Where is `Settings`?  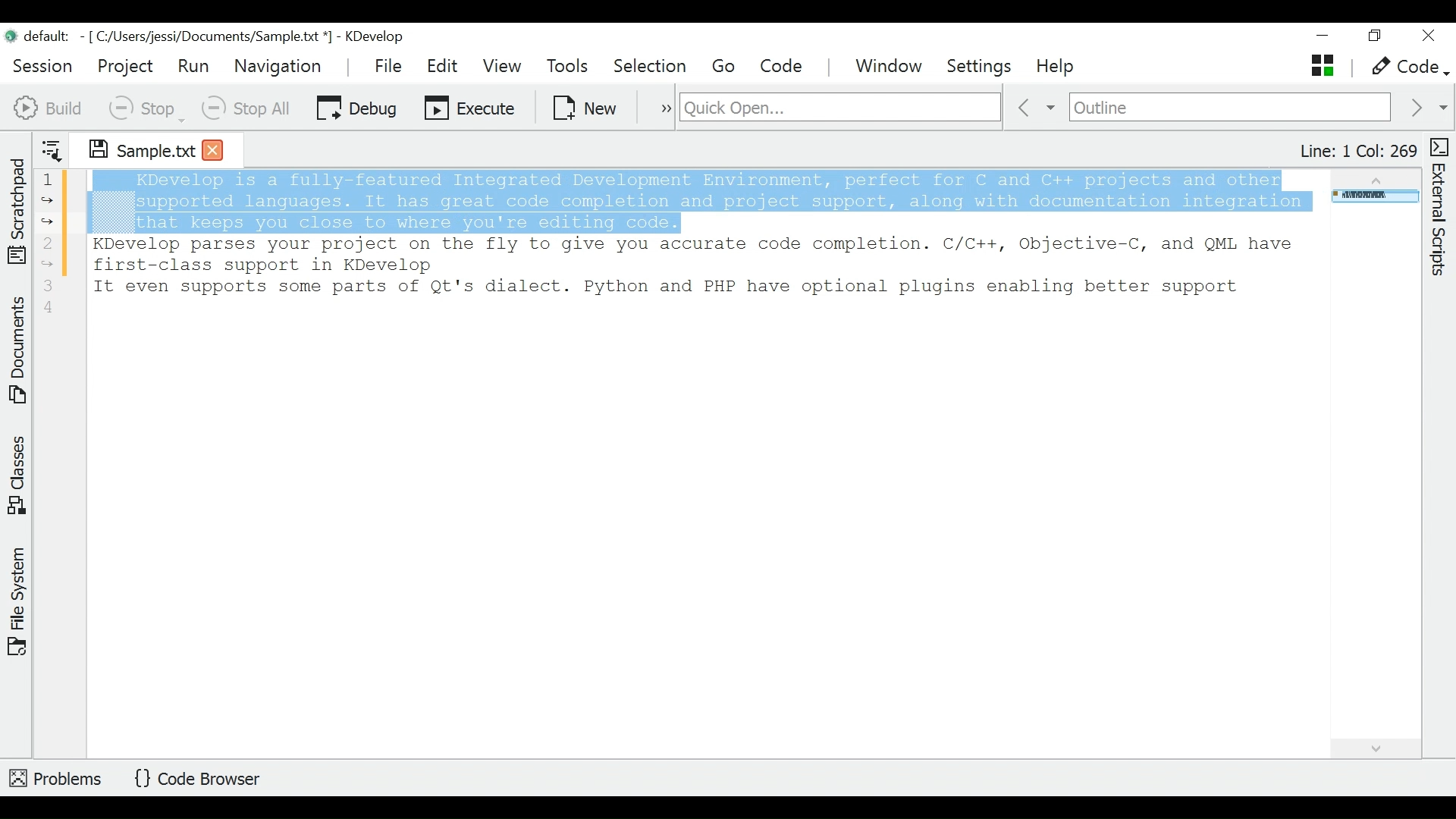
Settings is located at coordinates (984, 67).